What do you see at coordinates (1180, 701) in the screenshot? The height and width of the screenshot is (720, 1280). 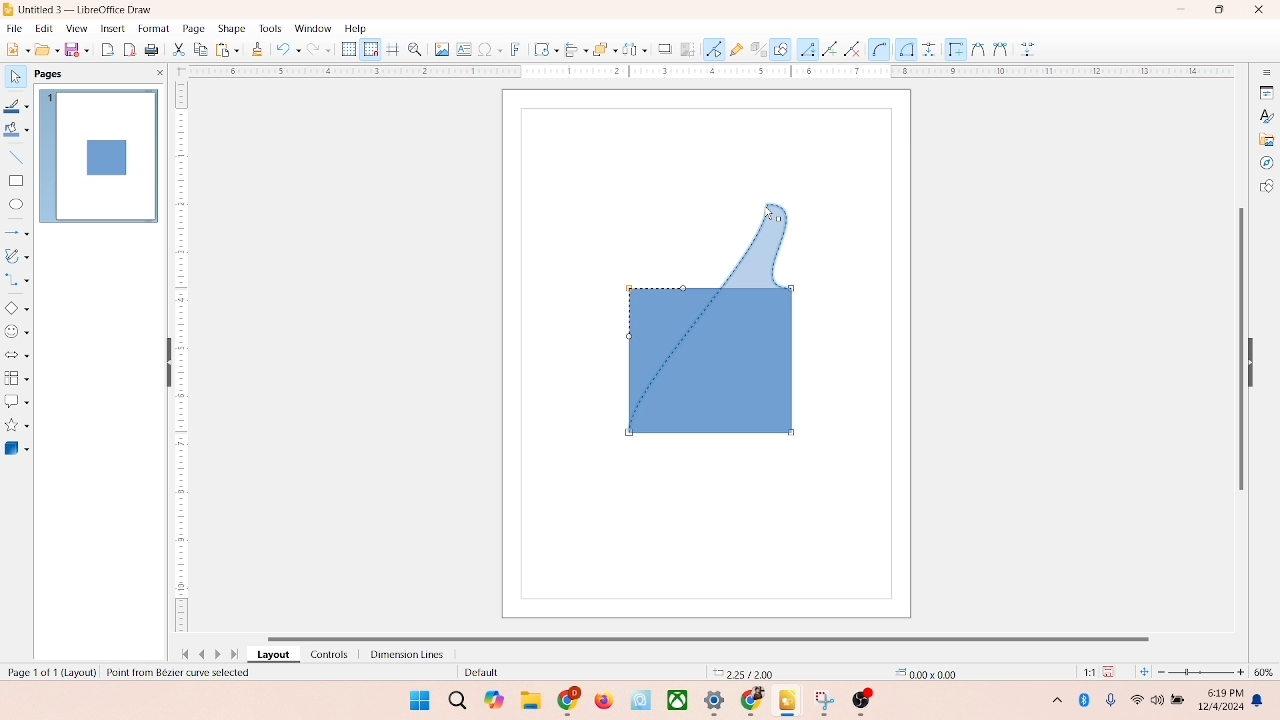 I see `battery` at bounding box center [1180, 701].